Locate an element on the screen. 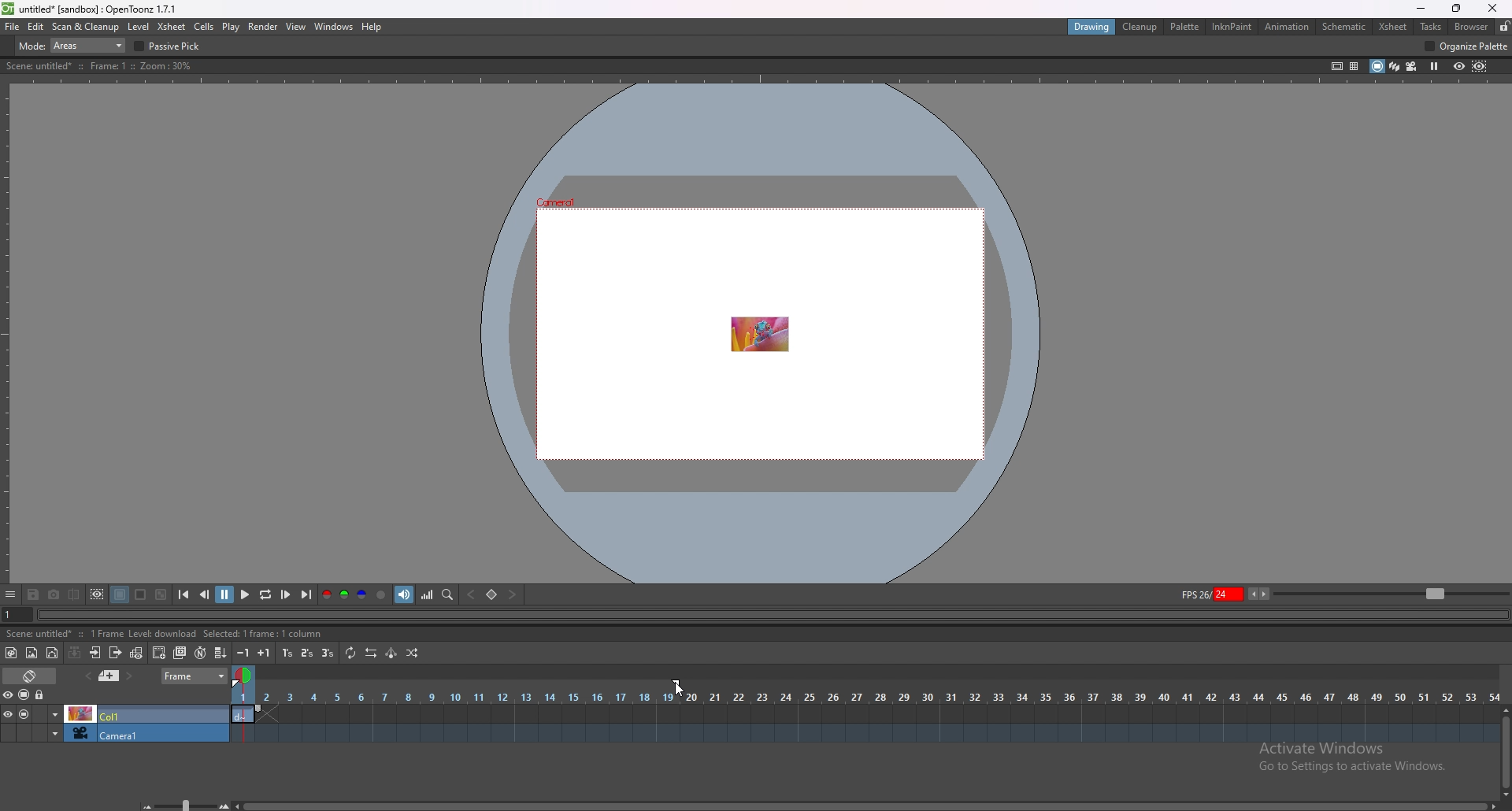 This screenshot has width=1512, height=811. reframe on 3s is located at coordinates (328, 653).